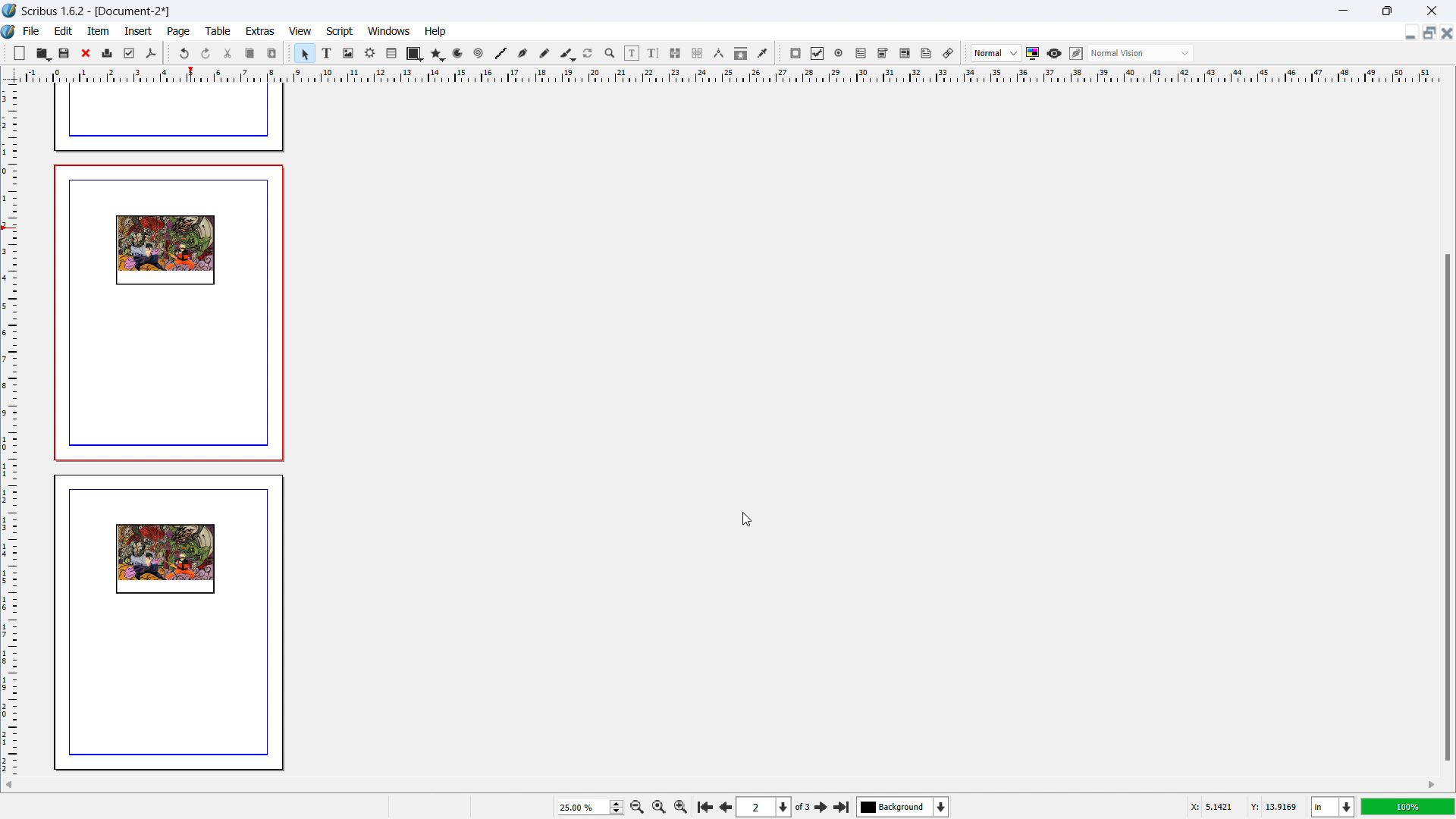 This screenshot has height=819, width=1456. Describe the element at coordinates (340, 32) in the screenshot. I see `script` at that location.